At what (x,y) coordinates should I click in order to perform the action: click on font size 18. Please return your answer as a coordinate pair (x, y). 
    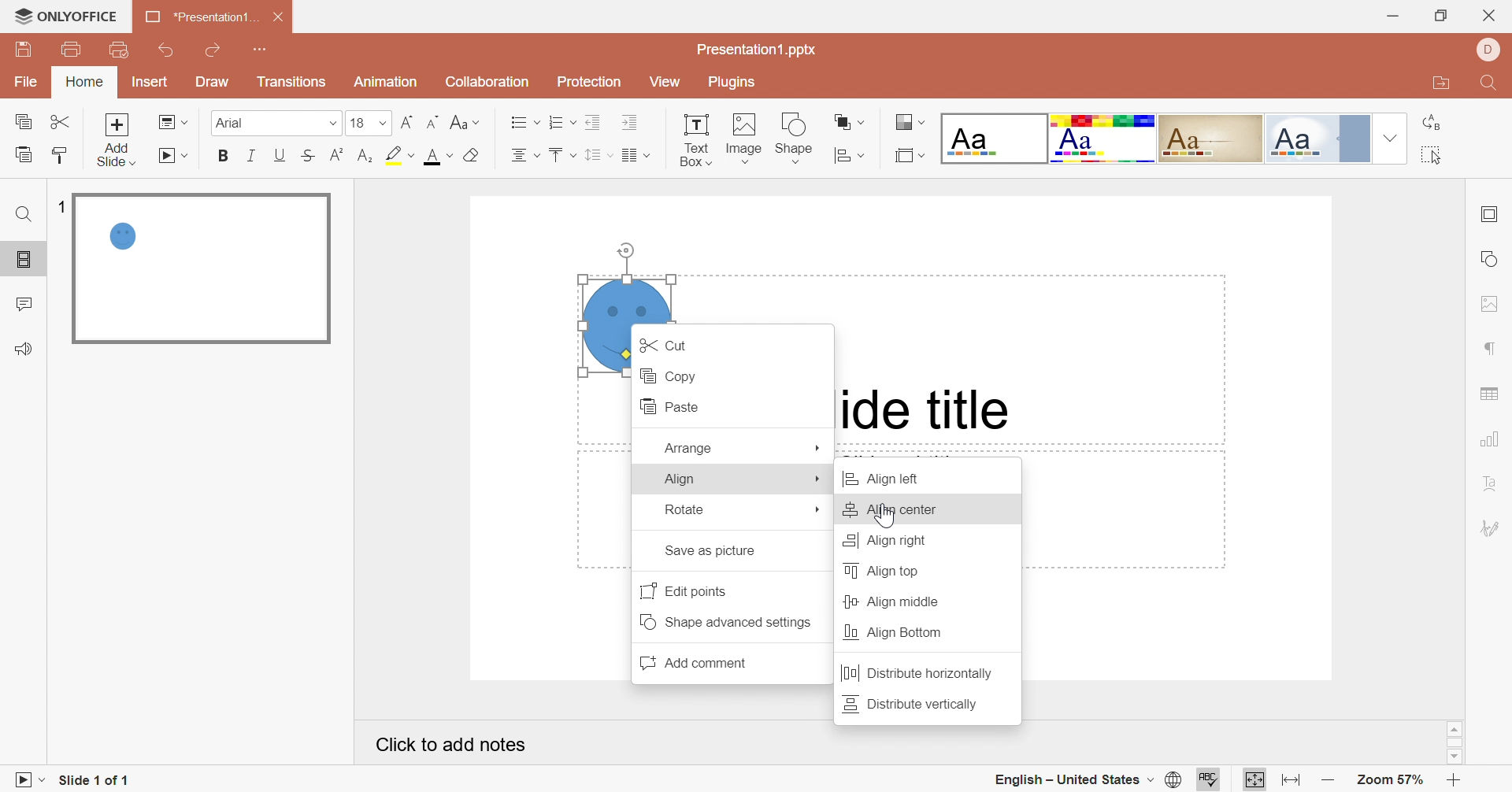
    Looking at the image, I should click on (358, 125).